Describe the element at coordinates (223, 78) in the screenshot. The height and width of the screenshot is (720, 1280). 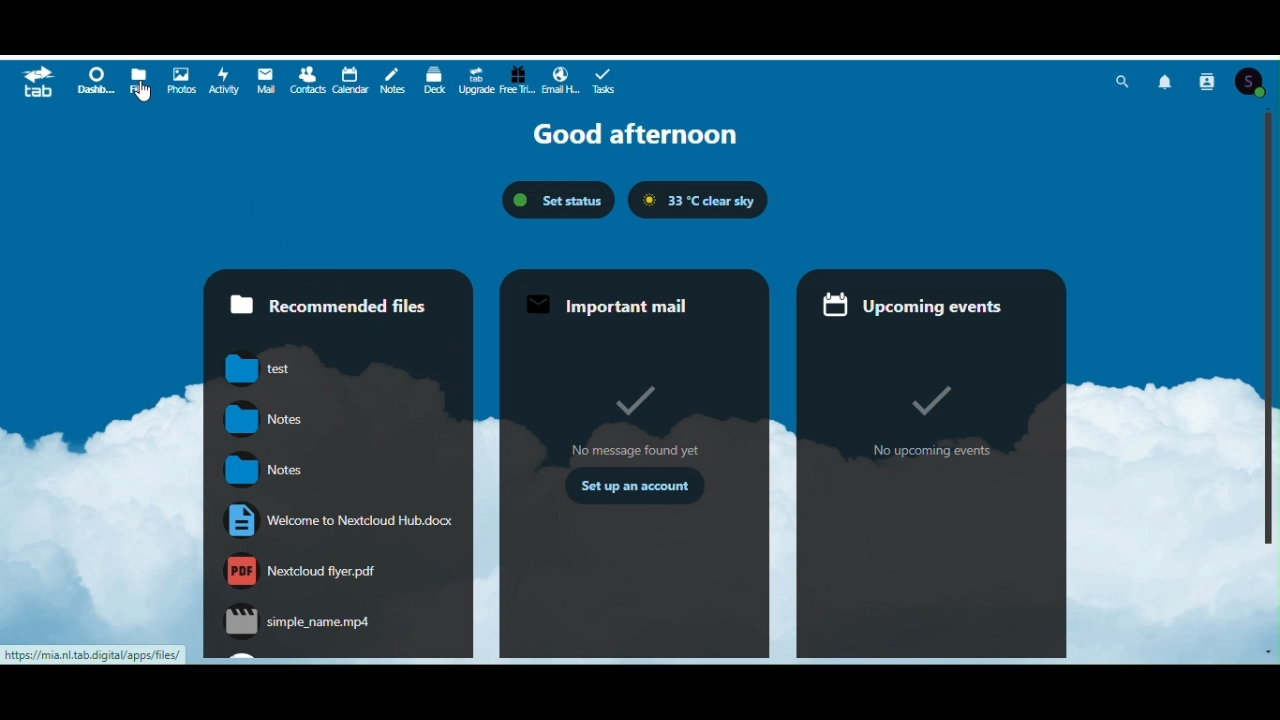
I see `Activity` at that location.